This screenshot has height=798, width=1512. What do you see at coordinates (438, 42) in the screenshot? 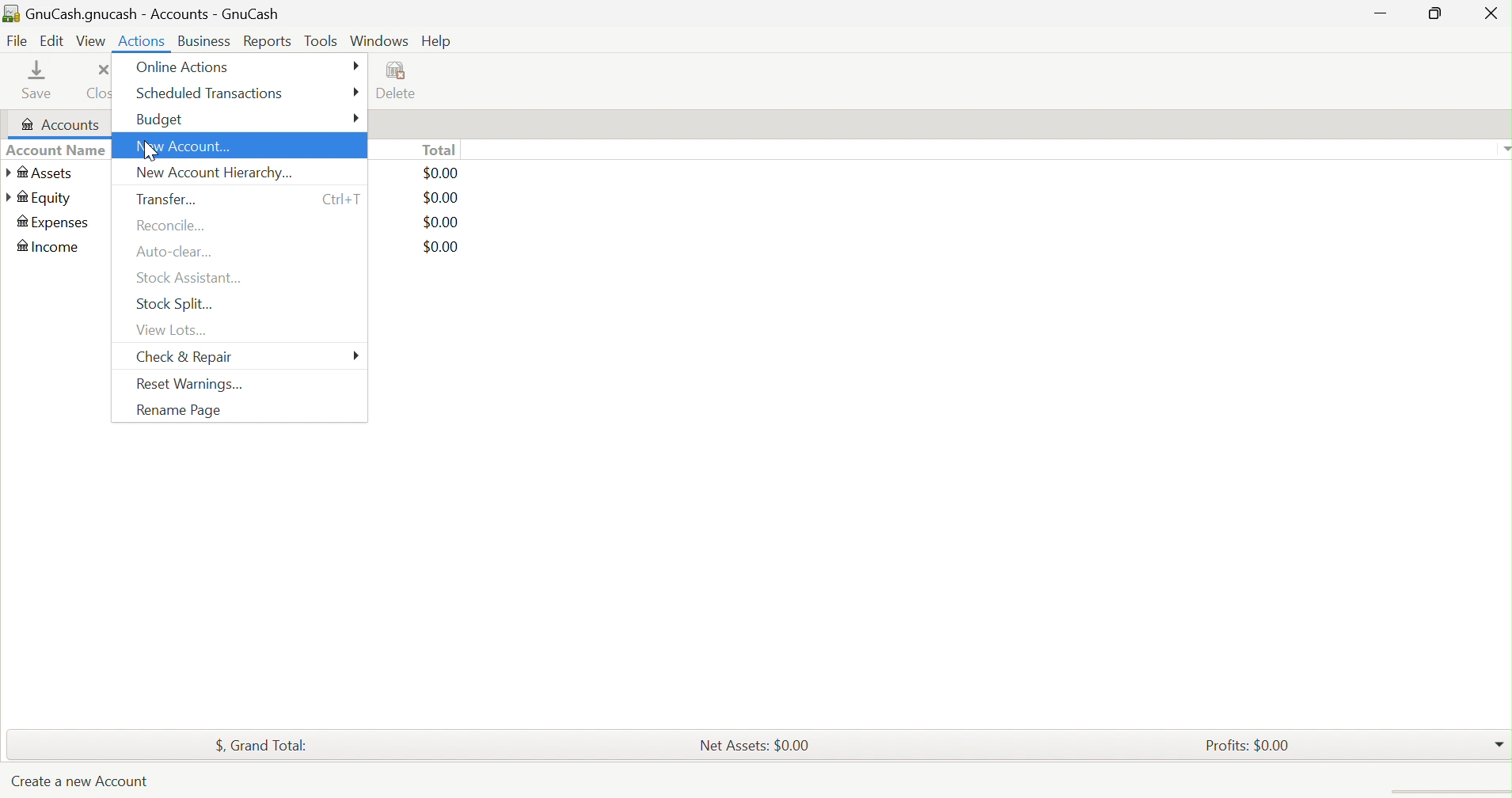
I see `Help` at bounding box center [438, 42].